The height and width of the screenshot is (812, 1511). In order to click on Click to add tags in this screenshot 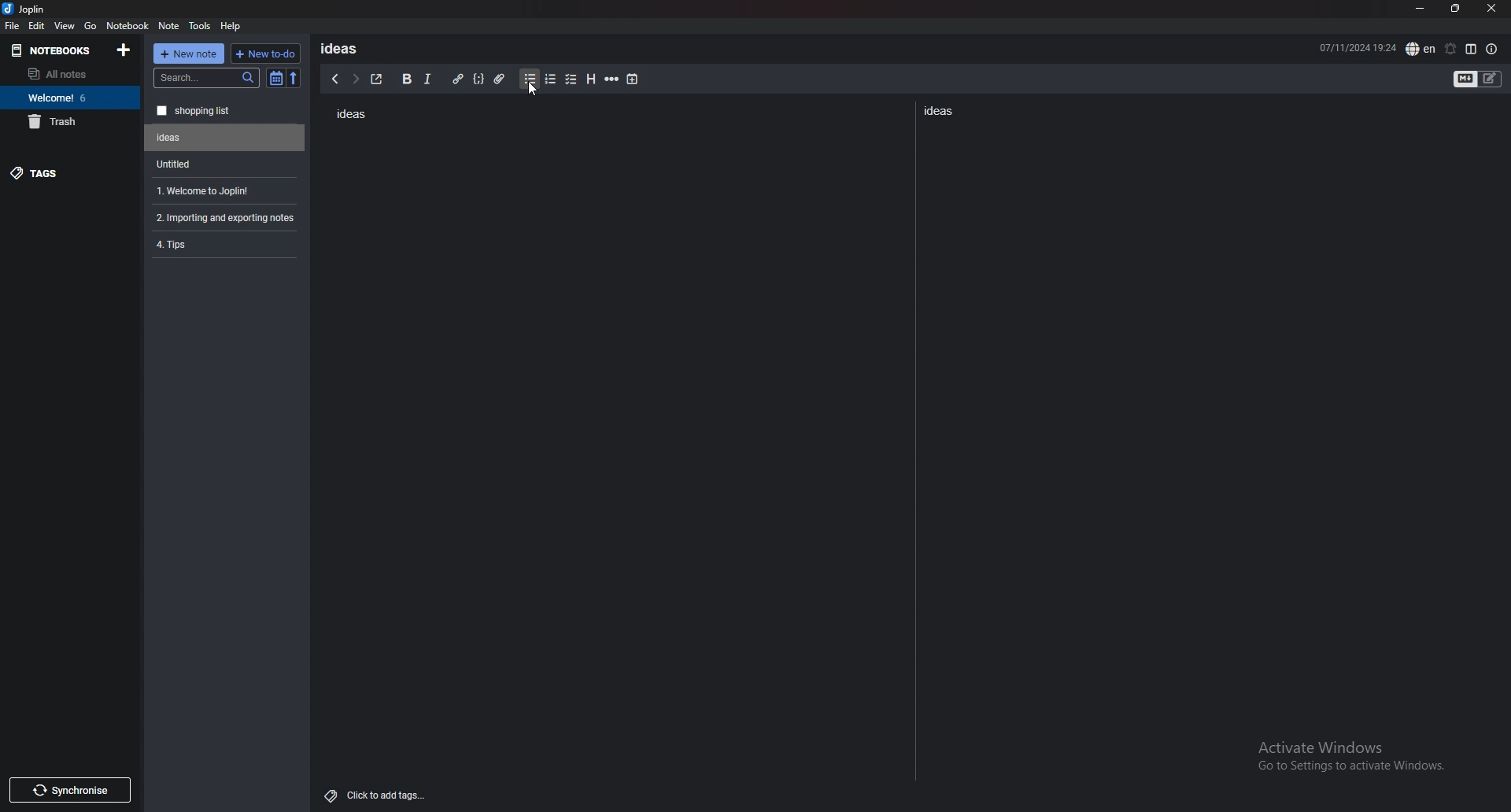, I will do `click(379, 792)`.